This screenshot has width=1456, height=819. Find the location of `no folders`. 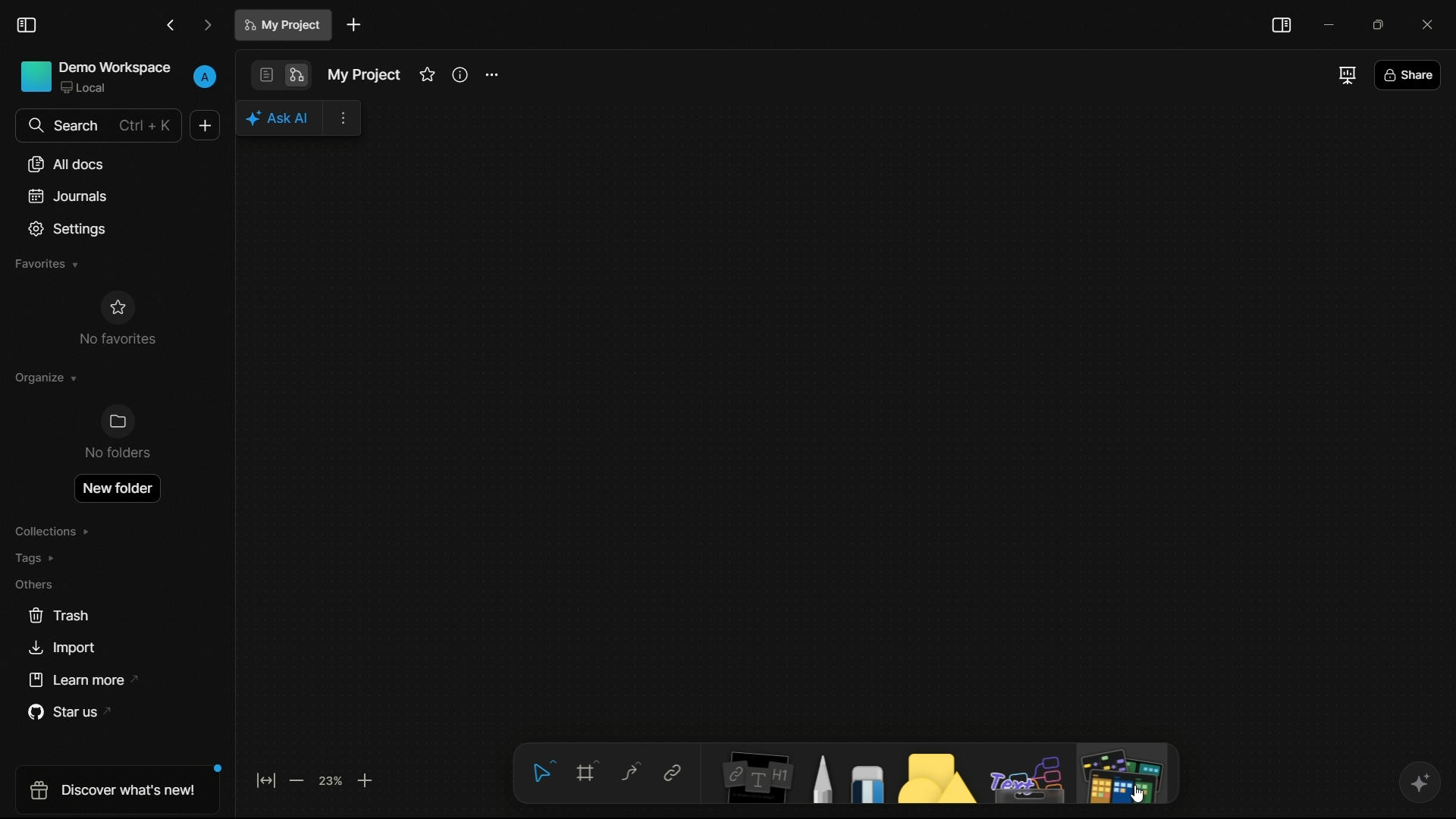

no folders is located at coordinates (116, 432).